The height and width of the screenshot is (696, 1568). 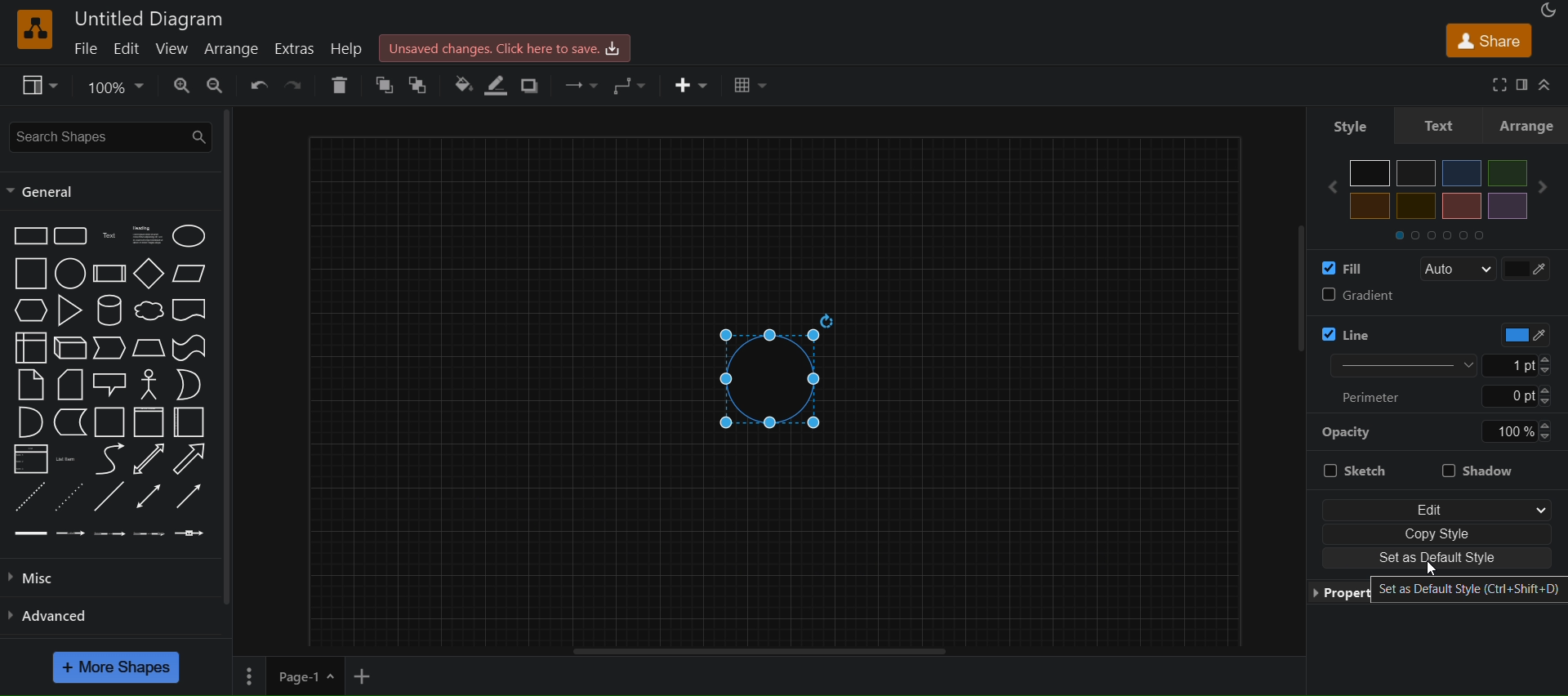 I want to click on redo, so click(x=296, y=84).